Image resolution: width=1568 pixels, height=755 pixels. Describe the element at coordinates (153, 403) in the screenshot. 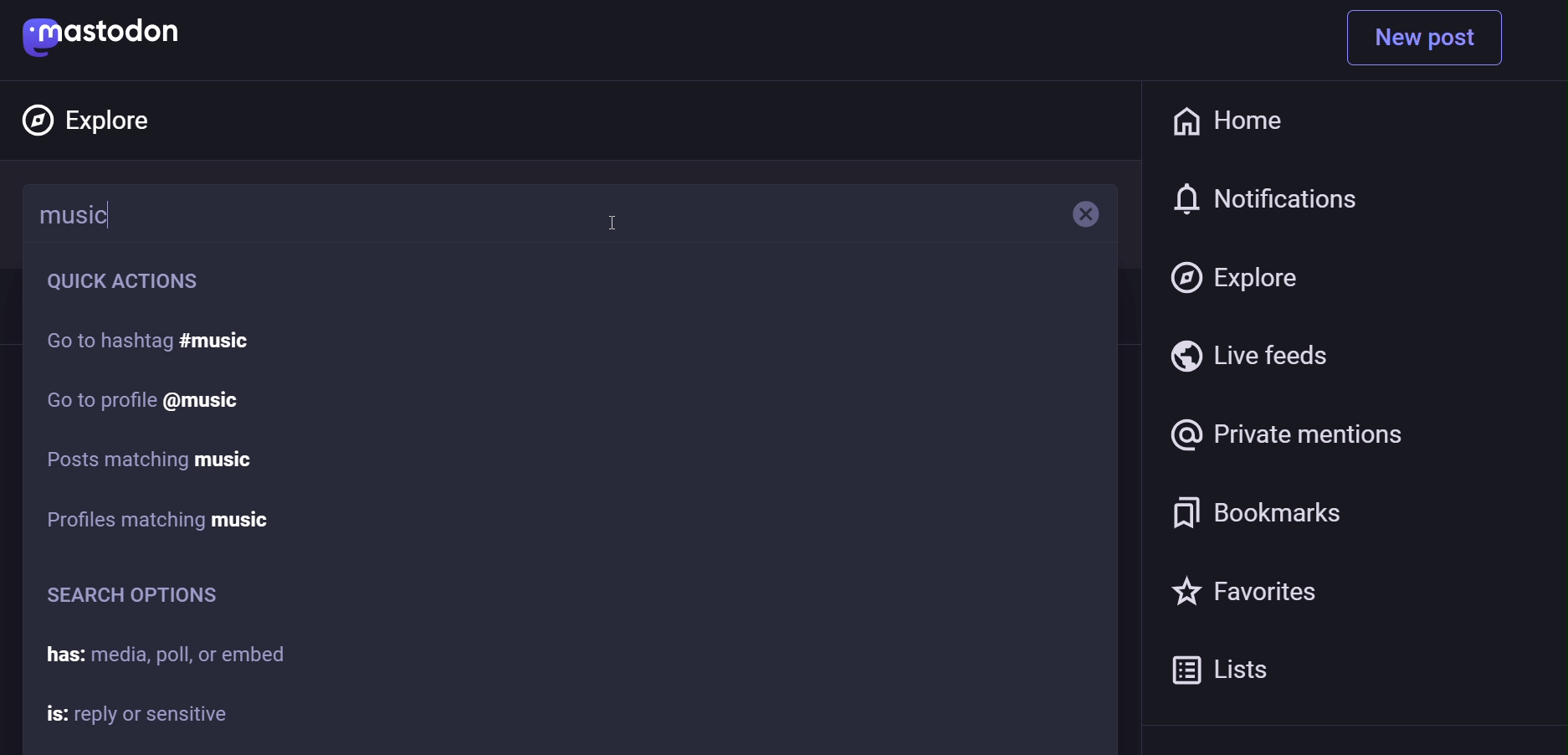

I see `go to profile` at that location.